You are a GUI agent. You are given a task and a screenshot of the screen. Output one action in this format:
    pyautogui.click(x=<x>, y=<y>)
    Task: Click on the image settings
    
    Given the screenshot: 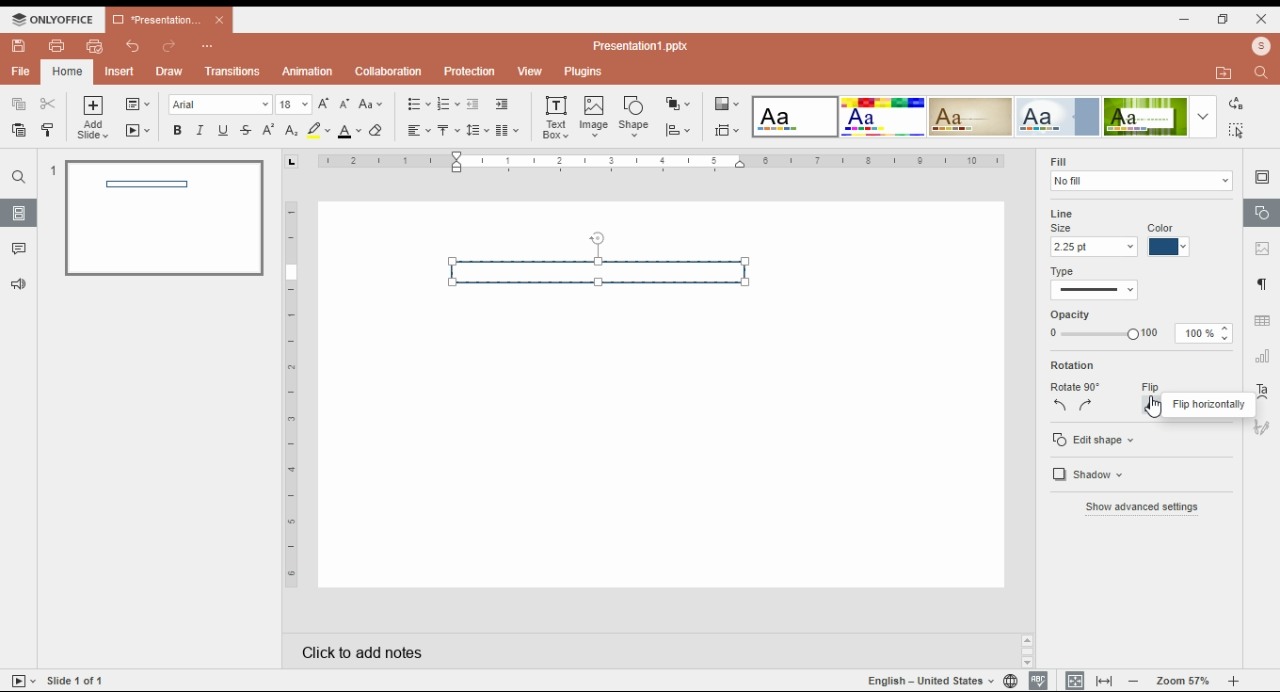 What is the action you would take?
    pyautogui.click(x=1261, y=250)
    